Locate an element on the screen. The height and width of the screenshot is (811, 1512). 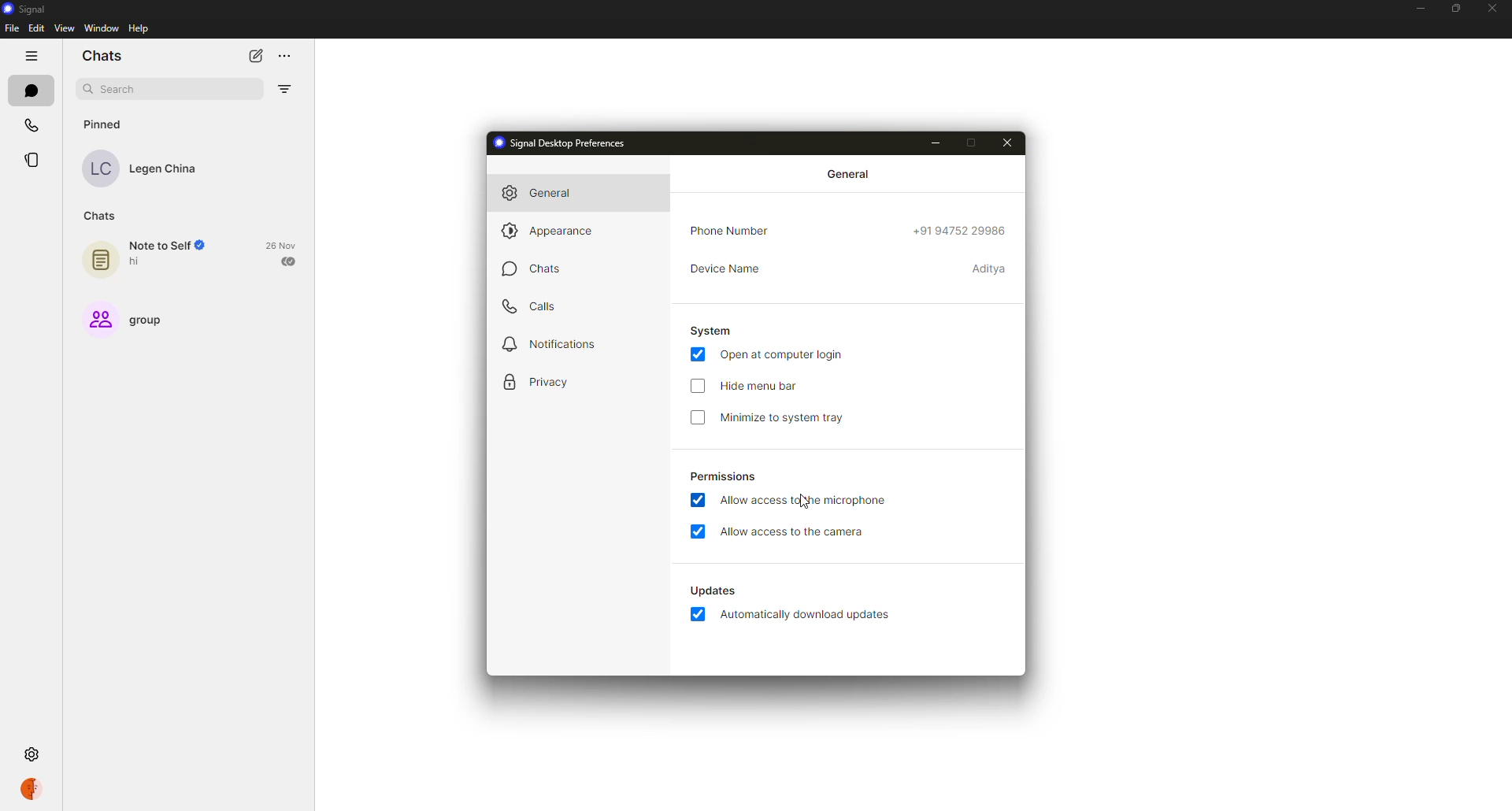
file is located at coordinates (11, 30).